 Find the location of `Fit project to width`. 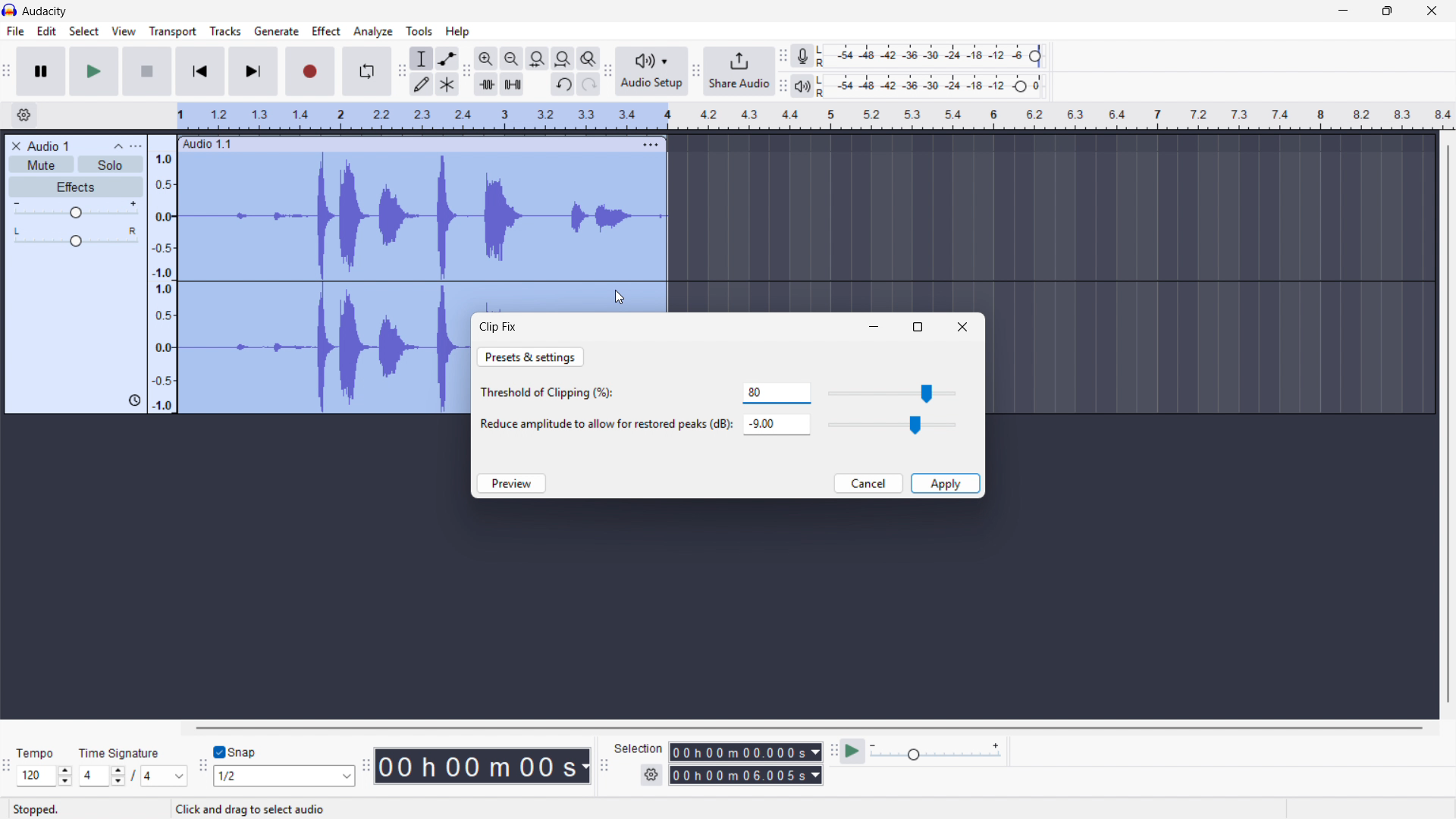

Fit project to width is located at coordinates (563, 58).